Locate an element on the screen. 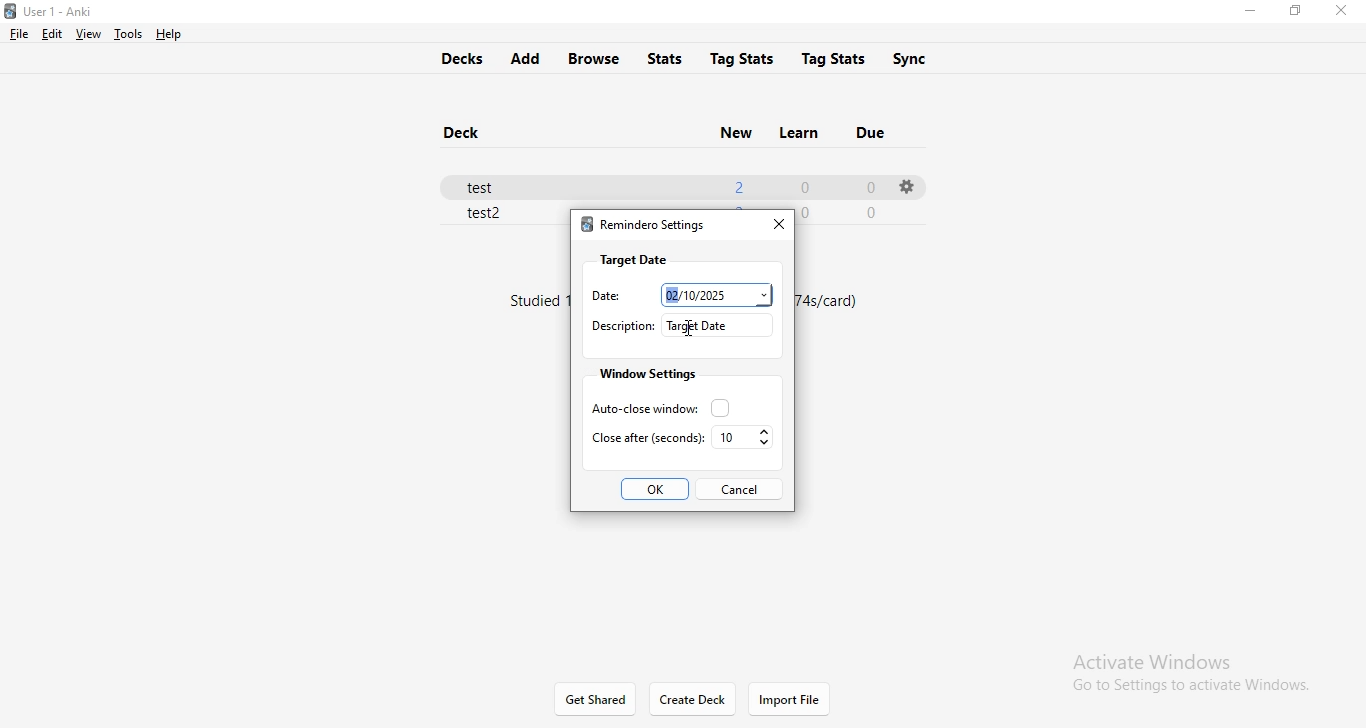 The width and height of the screenshot is (1366, 728). new is located at coordinates (734, 131).